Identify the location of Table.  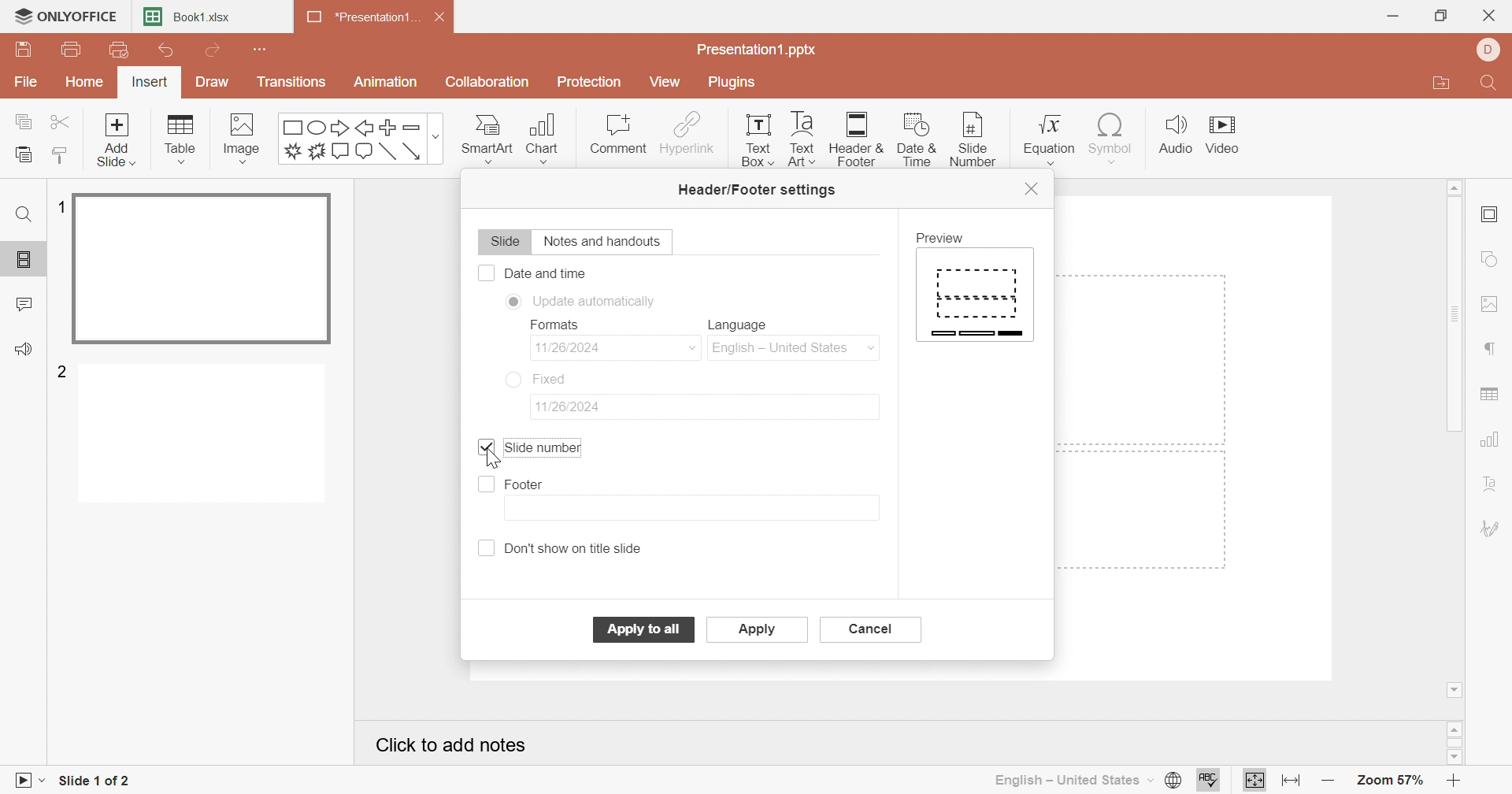
(182, 139).